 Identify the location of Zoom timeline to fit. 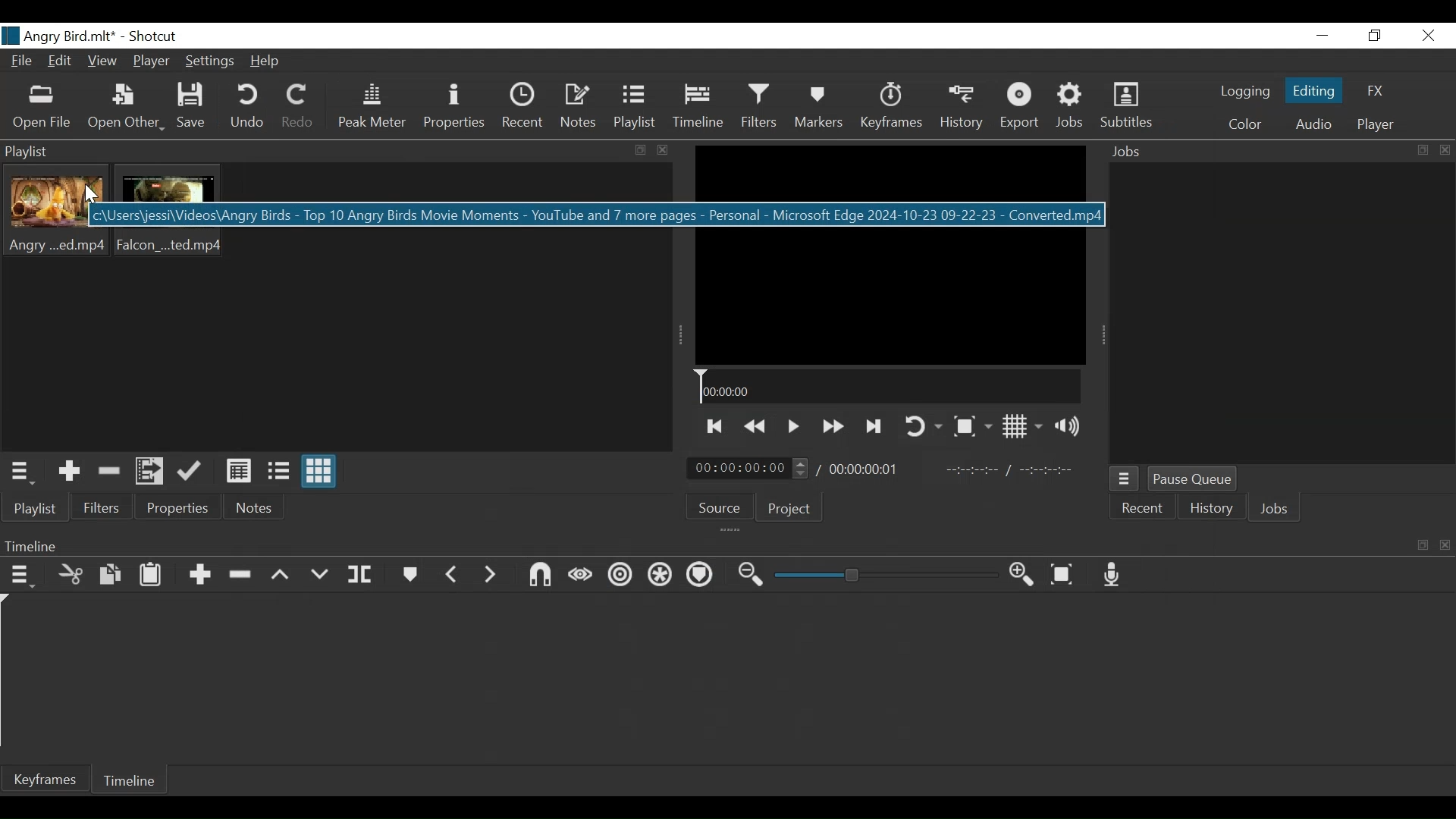
(1065, 575).